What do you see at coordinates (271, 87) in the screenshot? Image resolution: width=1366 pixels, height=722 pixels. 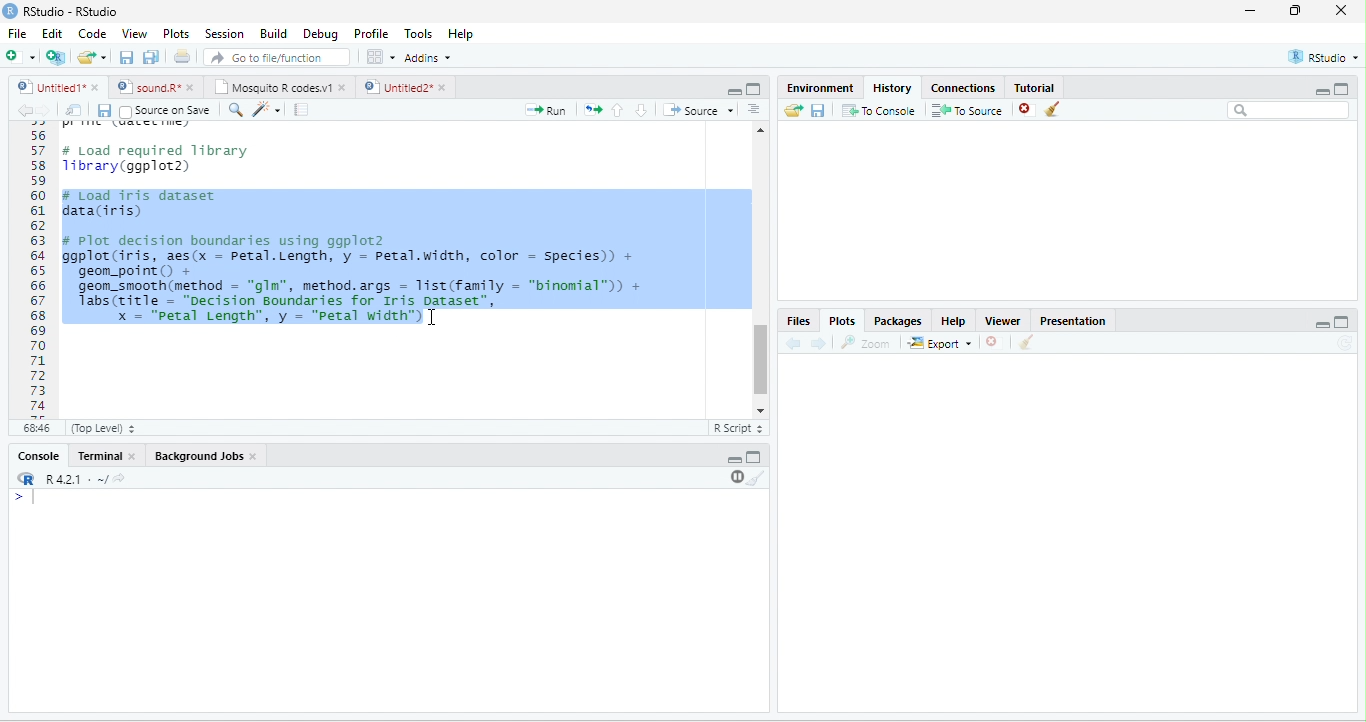 I see `Mosquito R codes.v1` at bounding box center [271, 87].